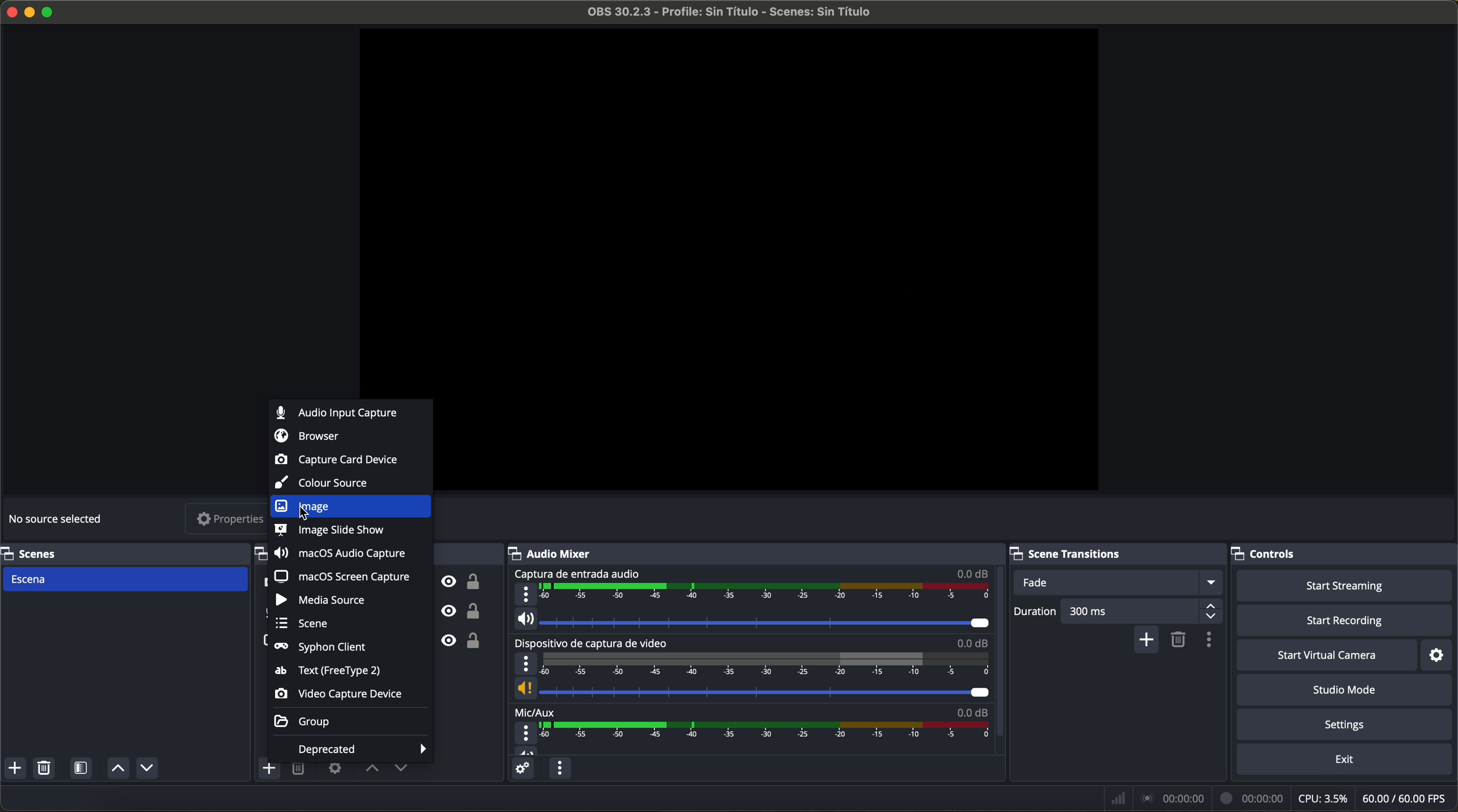 This screenshot has width=1458, height=812. What do you see at coordinates (321, 484) in the screenshot?
I see `colour source` at bounding box center [321, 484].